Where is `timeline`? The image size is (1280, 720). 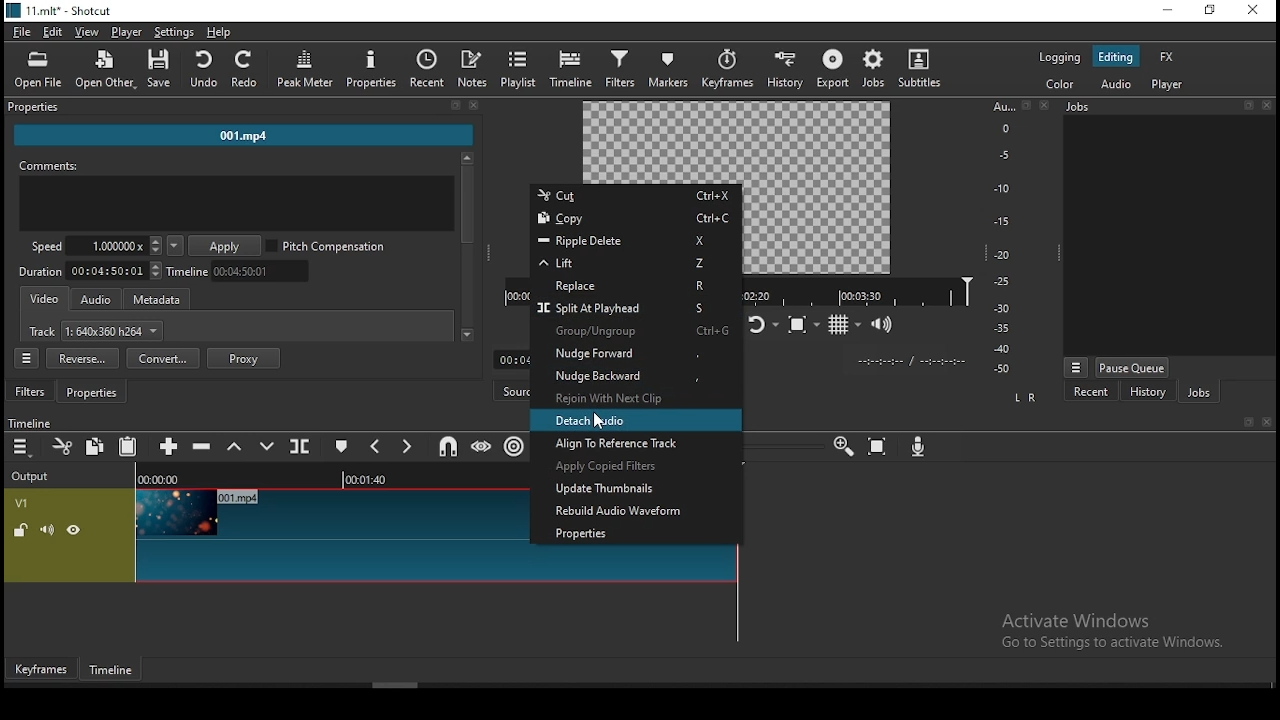 timeline is located at coordinates (572, 67).